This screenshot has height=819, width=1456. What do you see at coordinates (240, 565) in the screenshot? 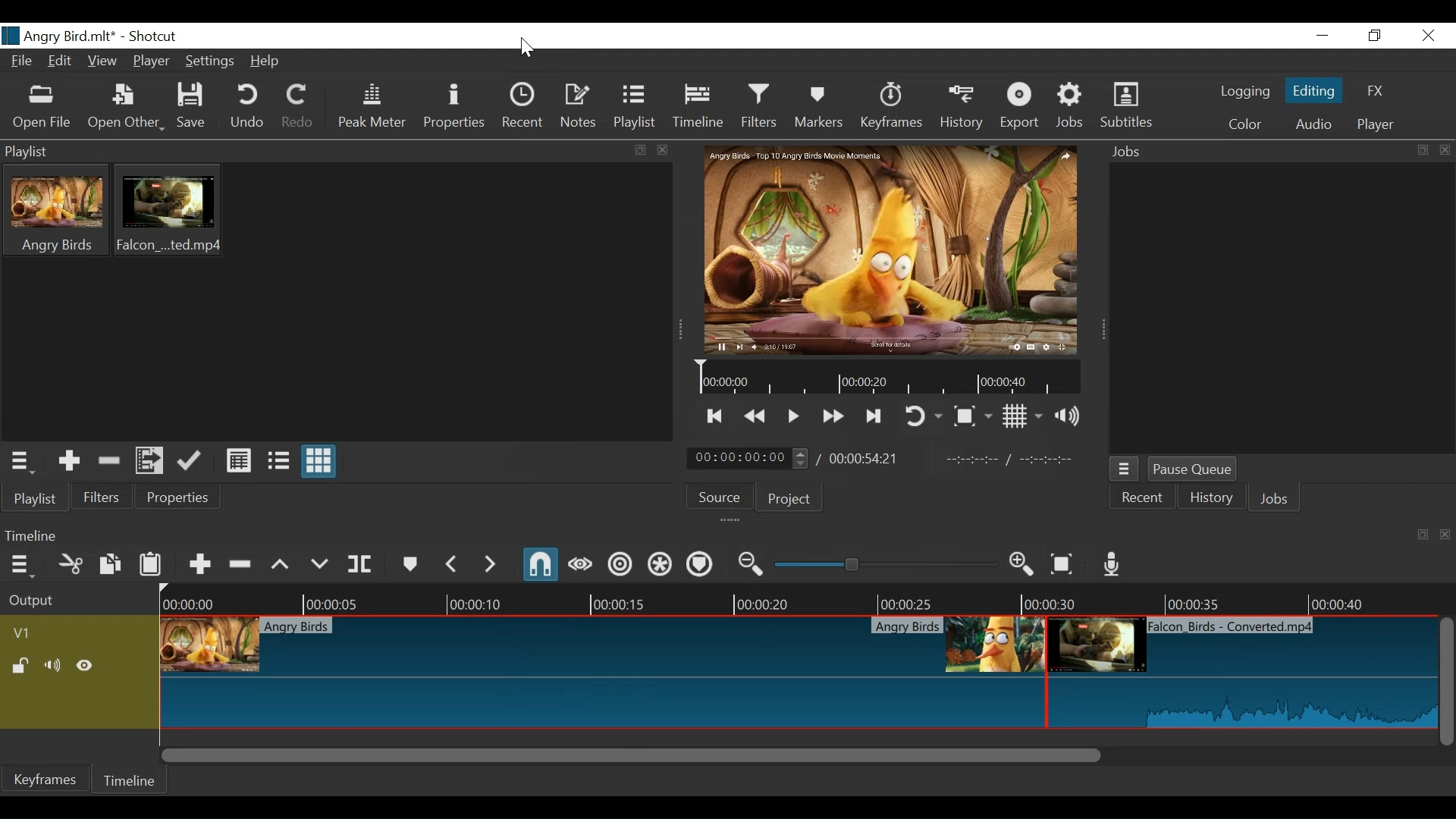
I see `Ripple Delete` at bounding box center [240, 565].